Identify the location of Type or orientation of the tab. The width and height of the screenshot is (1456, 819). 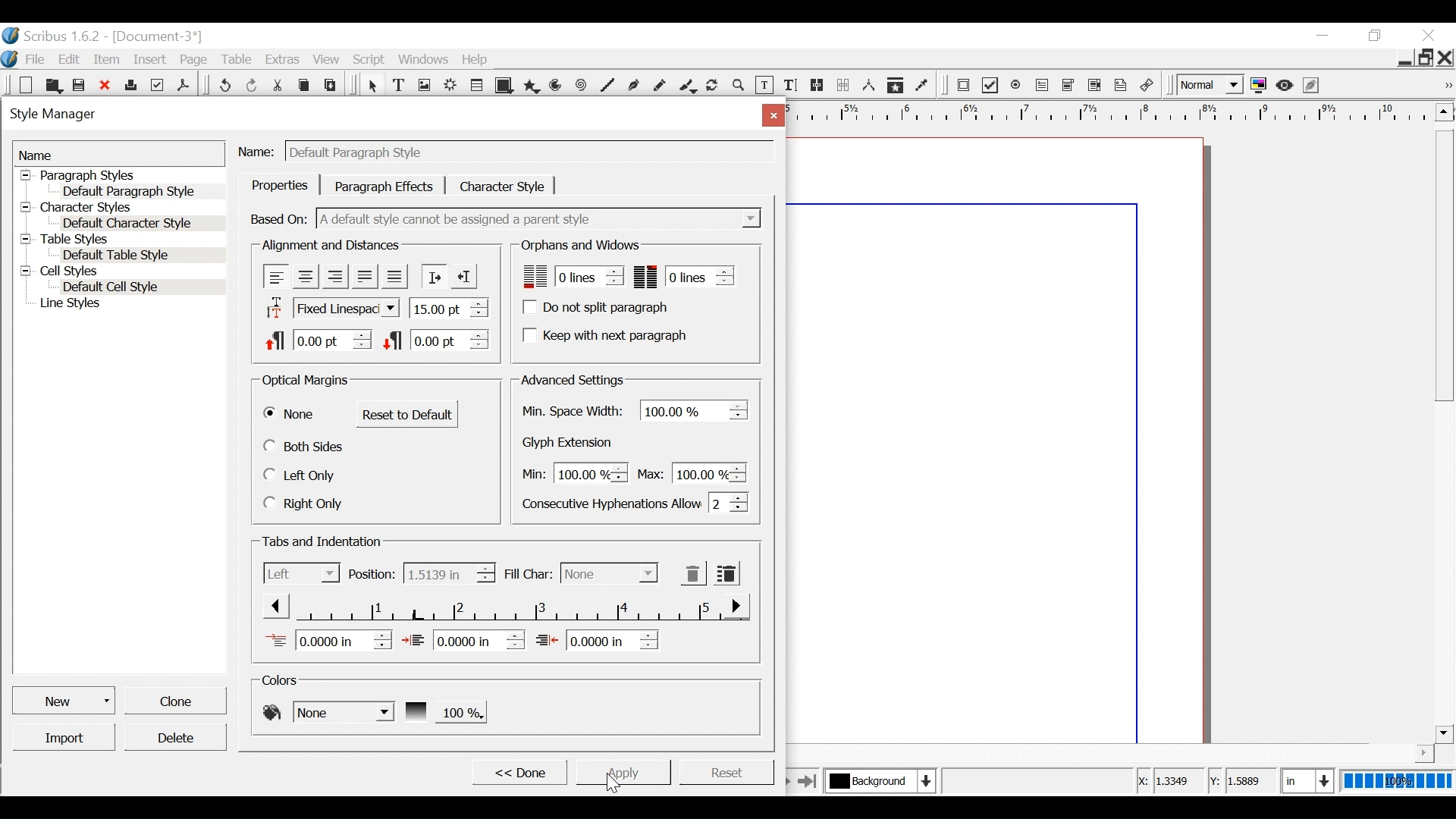
(302, 573).